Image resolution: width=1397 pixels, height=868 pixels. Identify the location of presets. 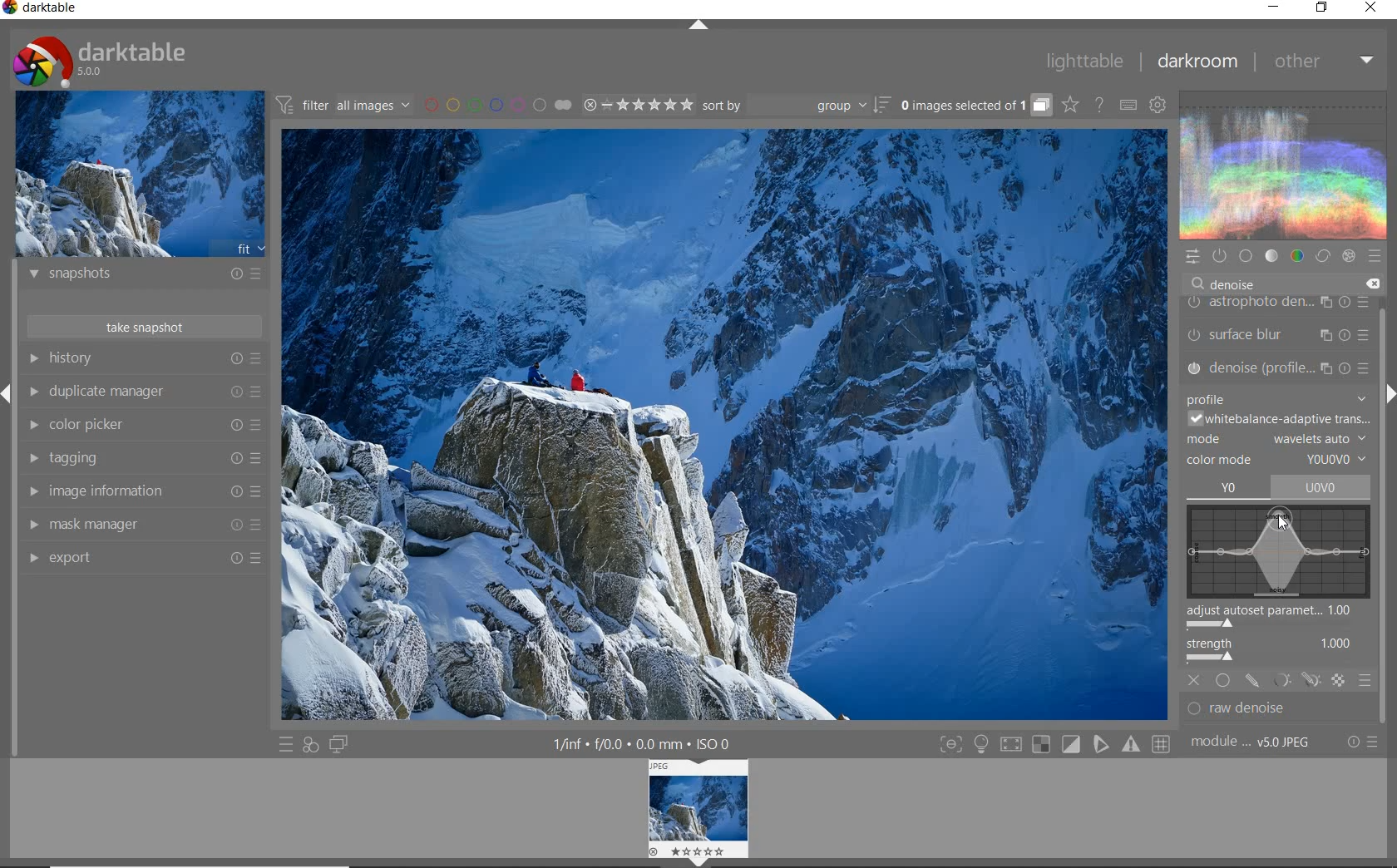
(1375, 253).